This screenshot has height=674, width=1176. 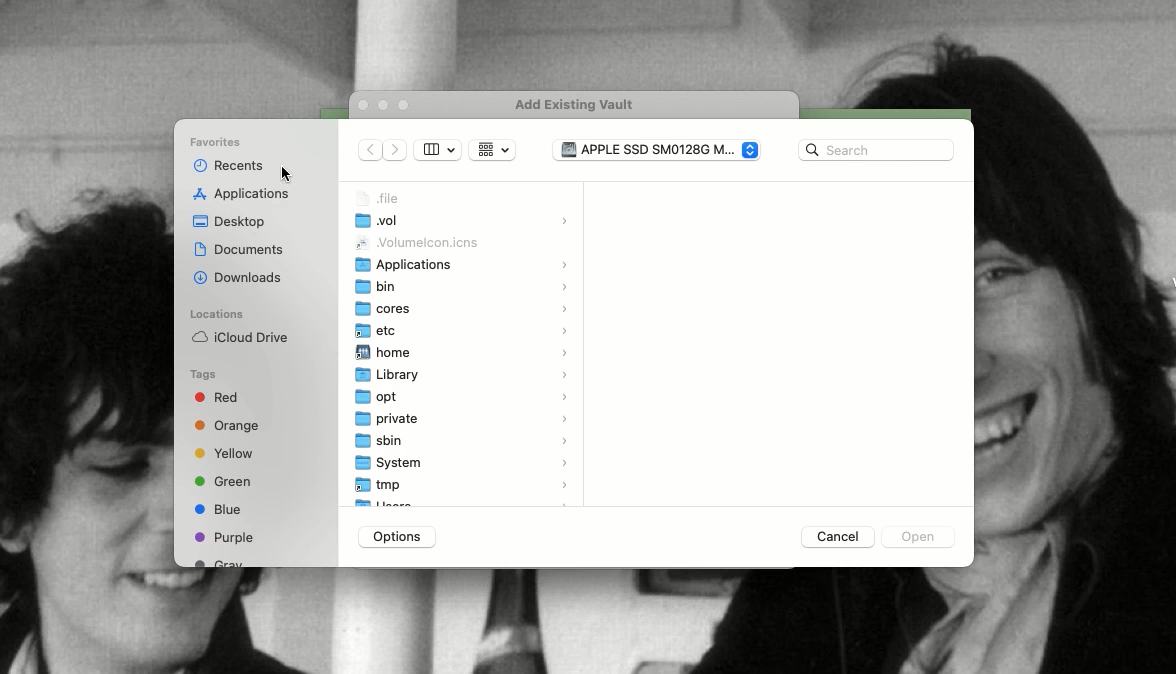 What do you see at coordinates (204, 375) in the screenshot?
I see `Tags` at bounding box center [204, 375].